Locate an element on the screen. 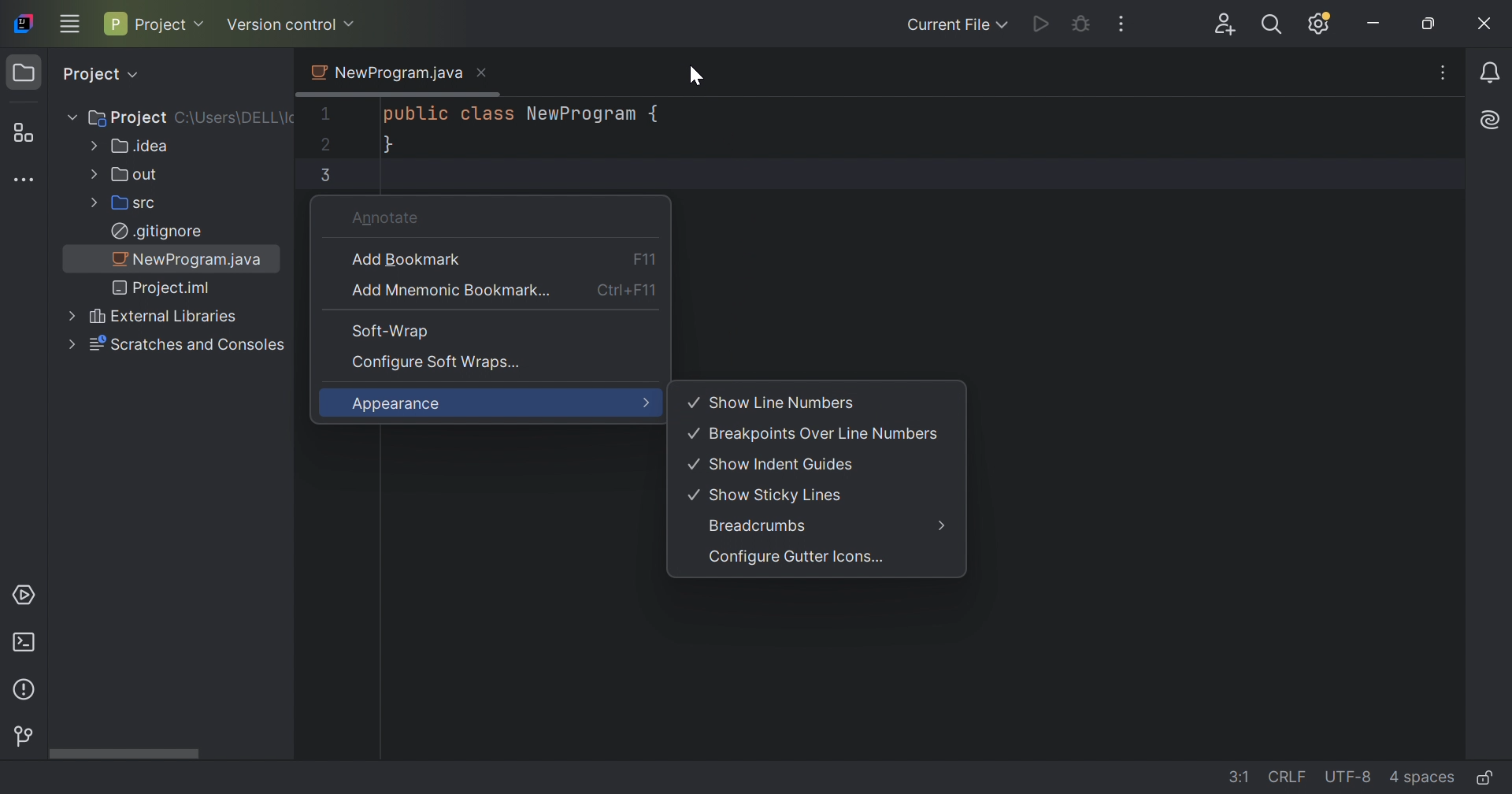 This screenshot has height=794, width=1512. Drop Down is located at coordinates (69, 345).